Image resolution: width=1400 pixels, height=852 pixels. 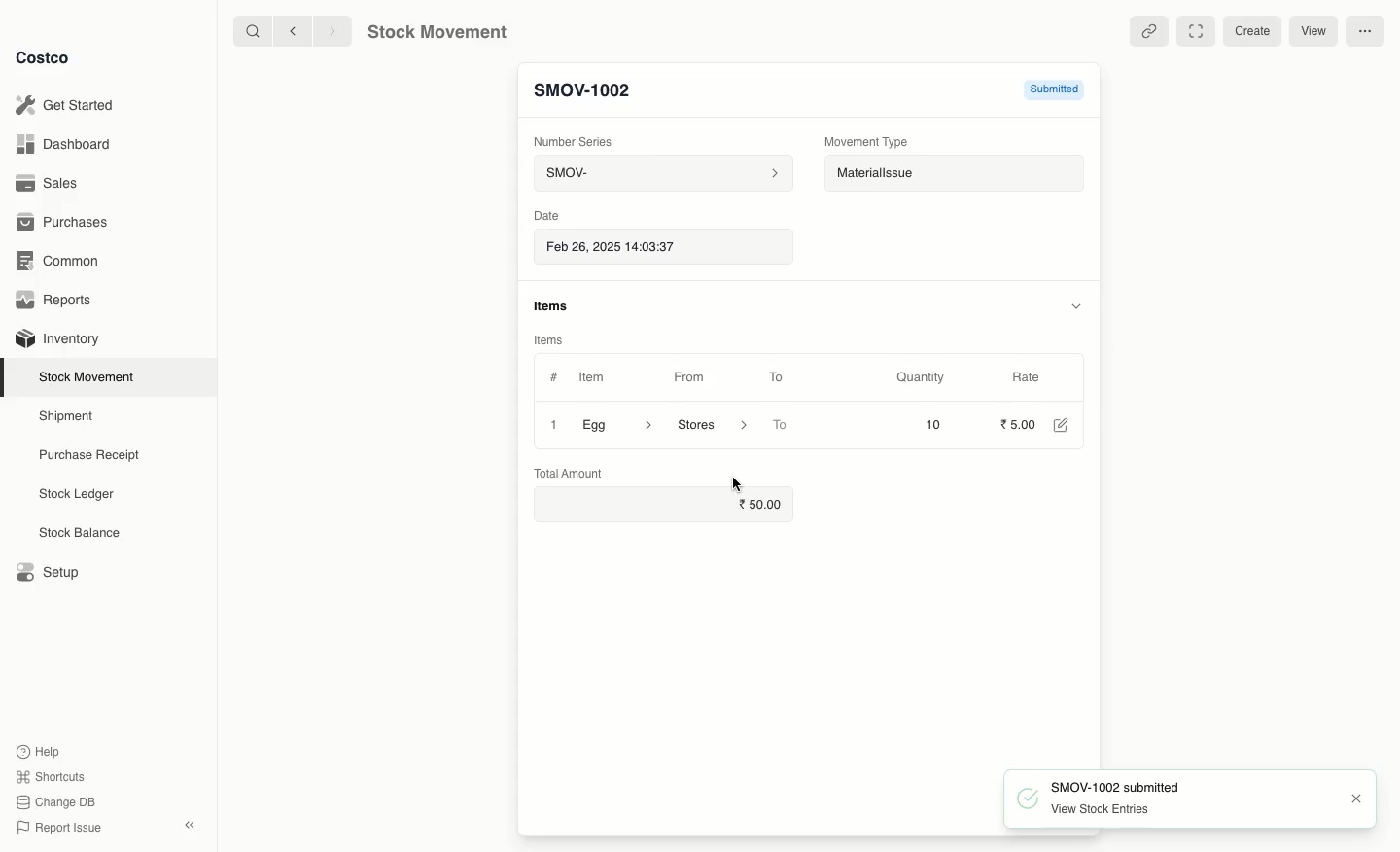 I want to click on Movement Type, so click(x=867, y=141).